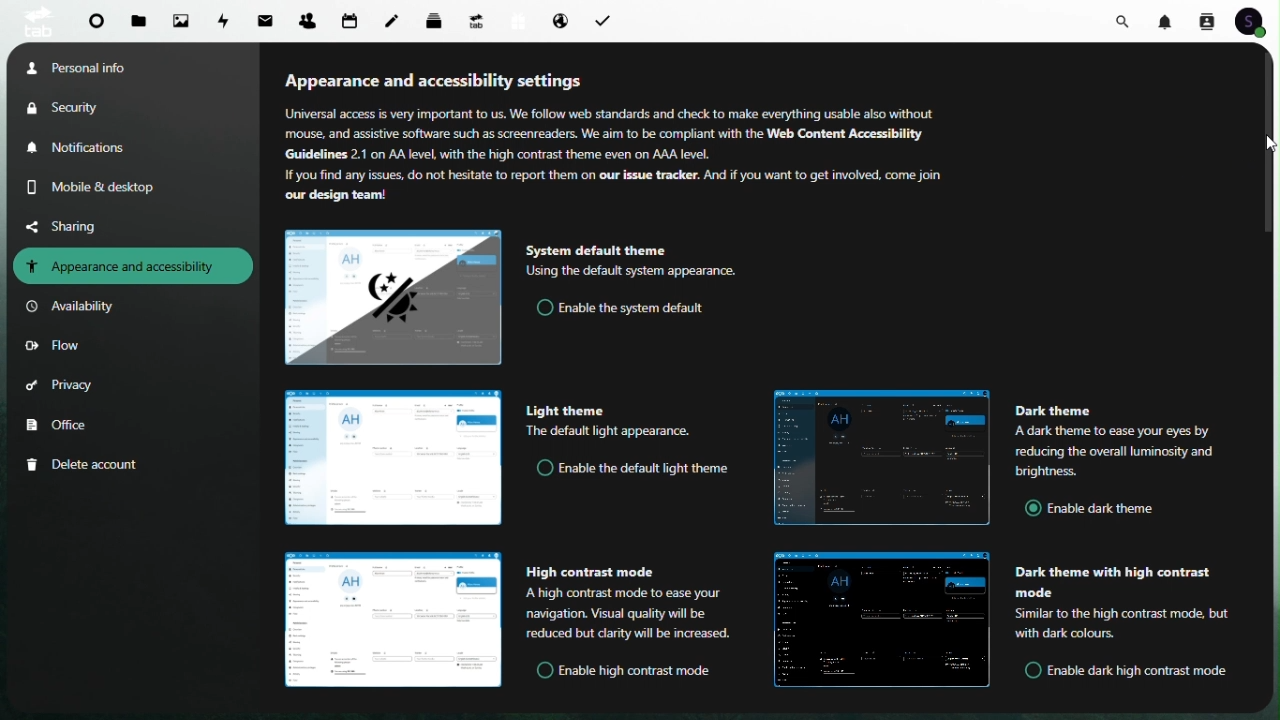  Describe the element at coordinates (140, 22) in the screenshot. I see `files` at that location.